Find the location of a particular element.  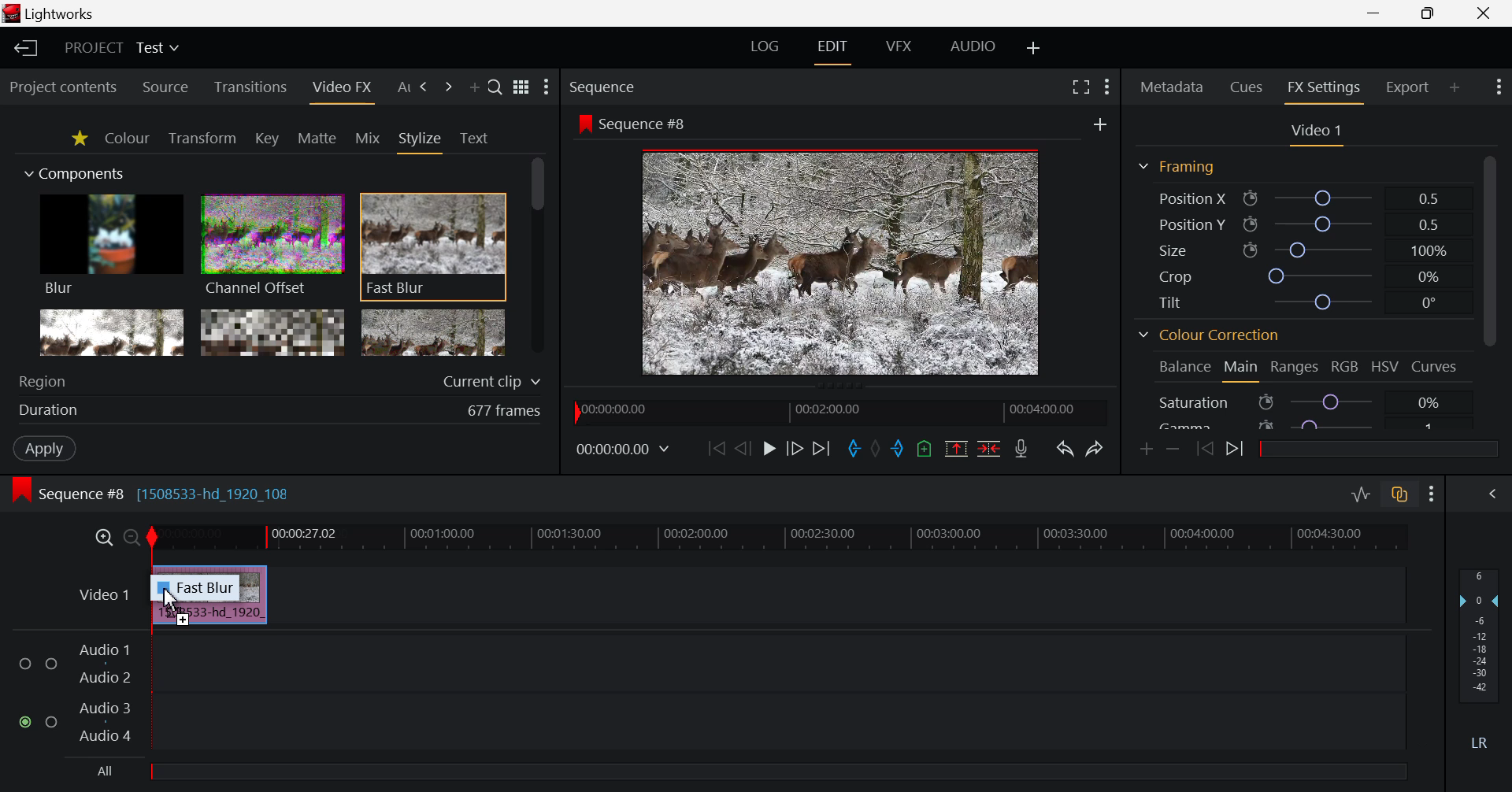

Remove all marks is located at coordinates (877, 448).